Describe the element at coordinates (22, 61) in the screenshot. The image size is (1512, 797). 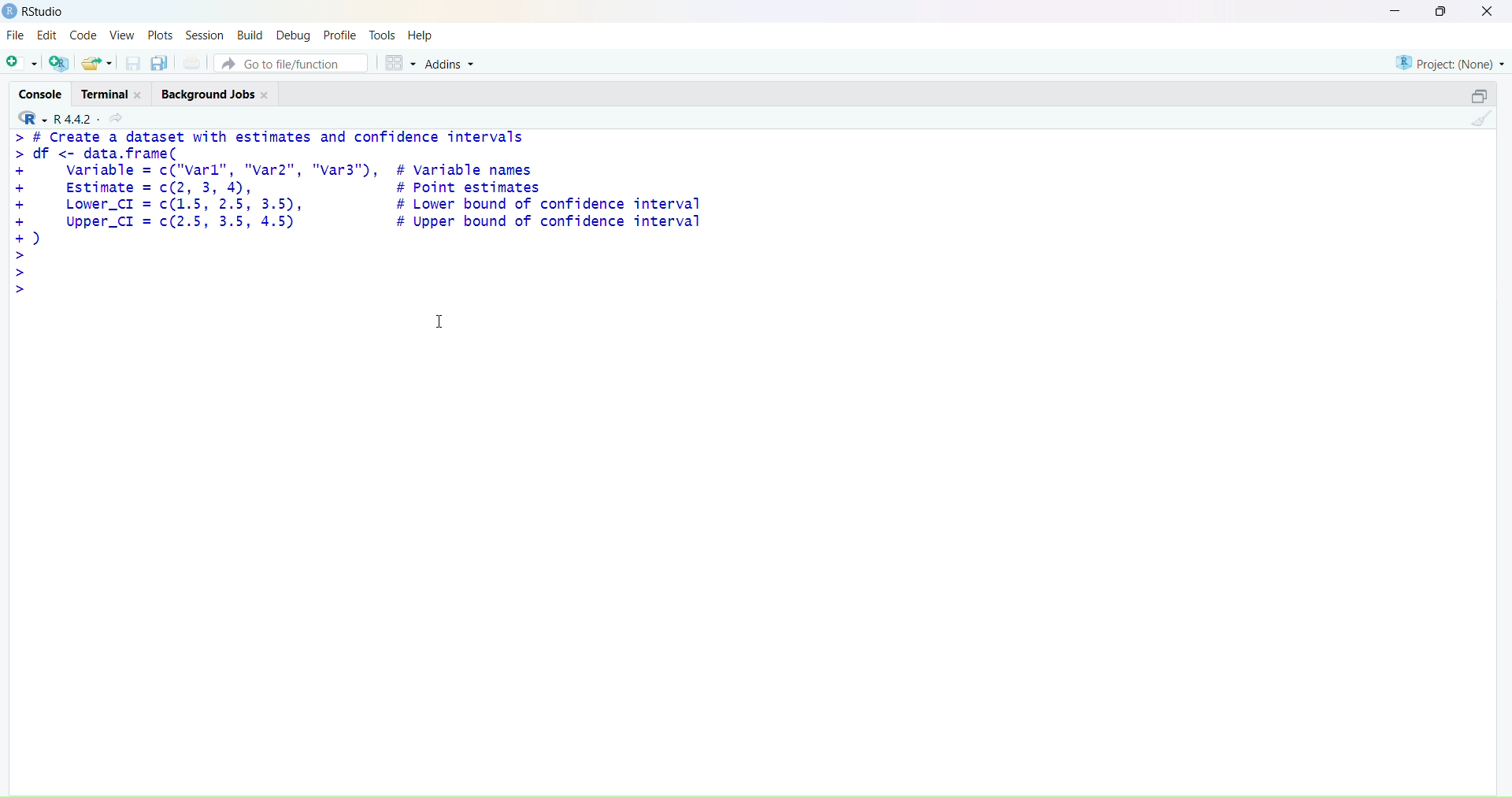
I see `new file` at that location.